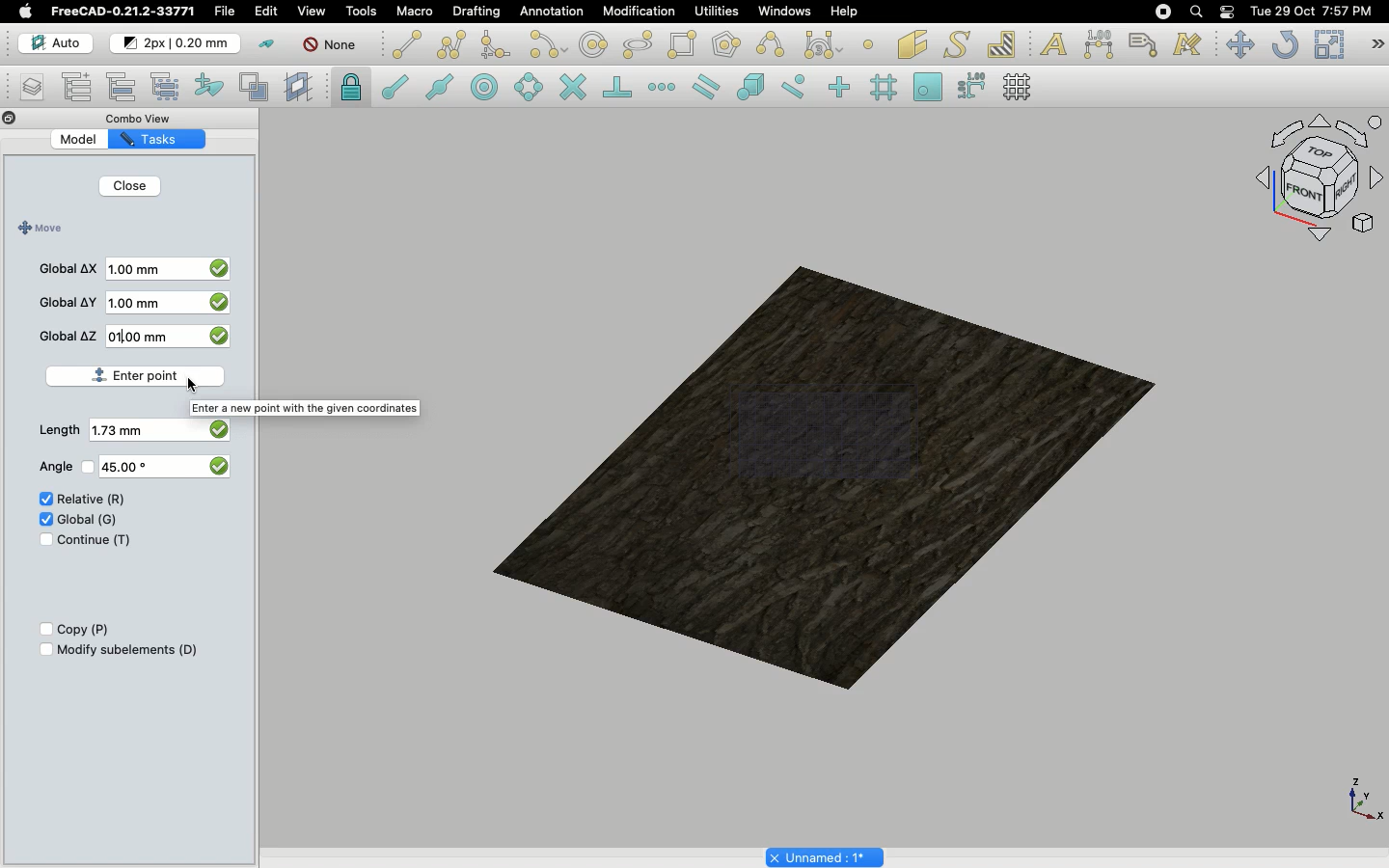 This screenshot has height=868, width=1389. I want to click on Collapse, so click(28, 119).